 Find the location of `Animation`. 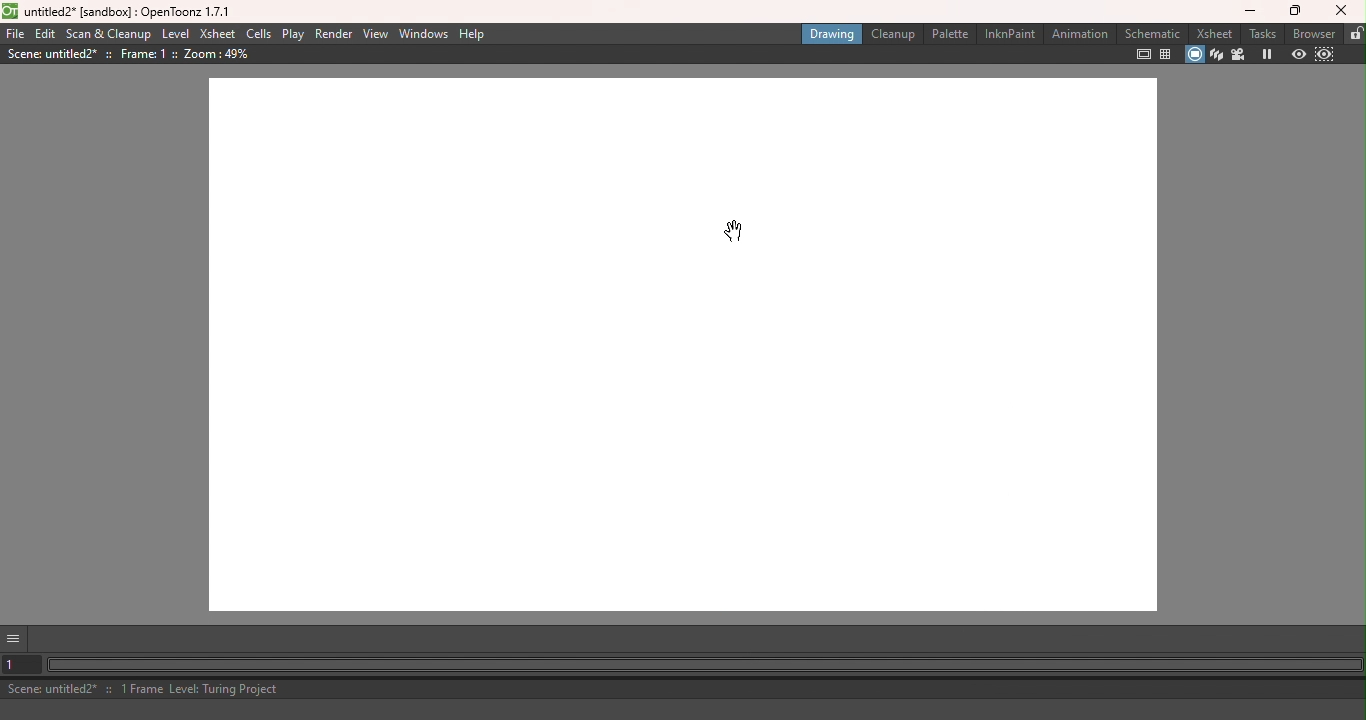

Animation is located at coordinates (1078, 37).